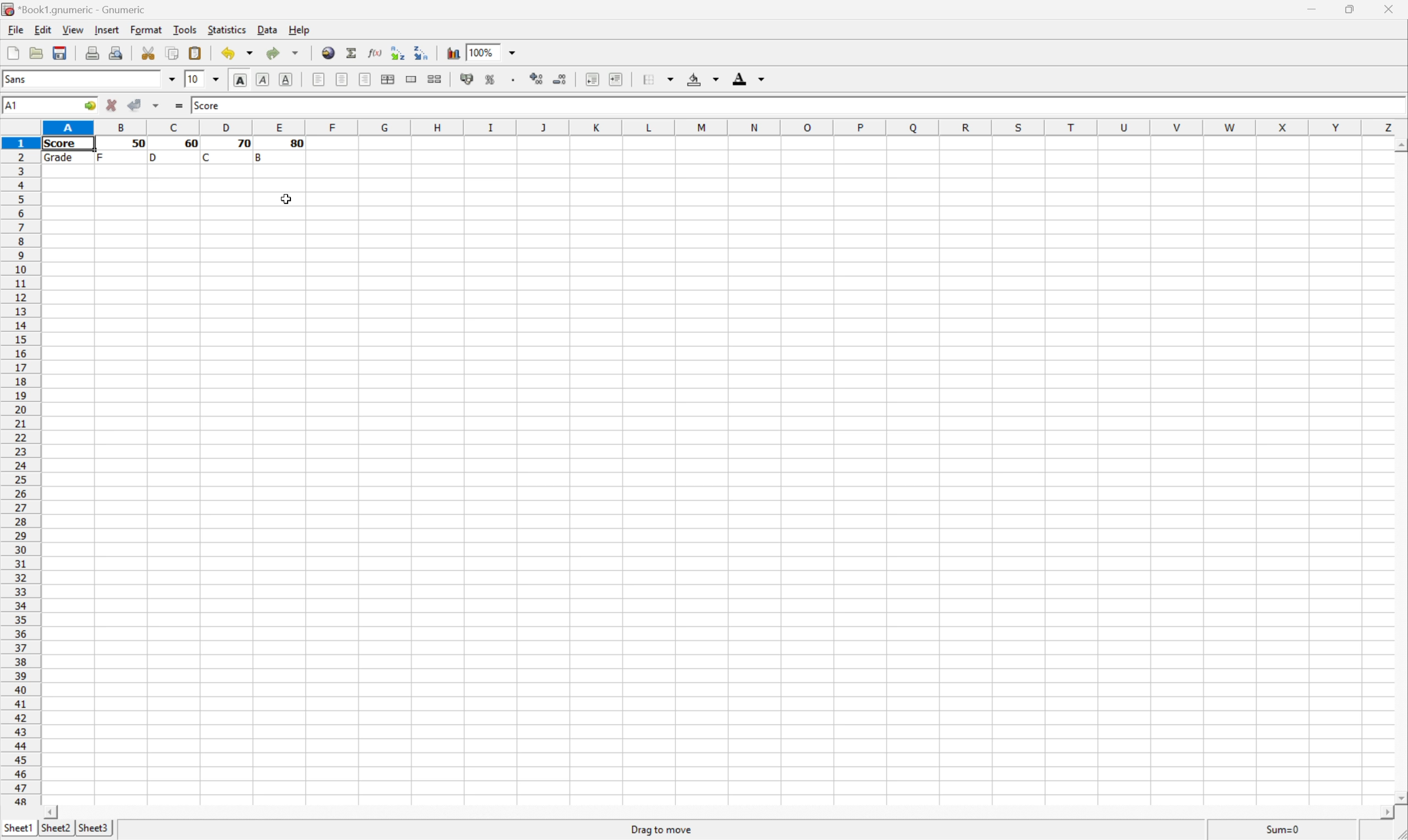 The image size is (1408, 840). Describe the element at coordinates (236, 80) in the screenshot. I see `Align Left` at that location.